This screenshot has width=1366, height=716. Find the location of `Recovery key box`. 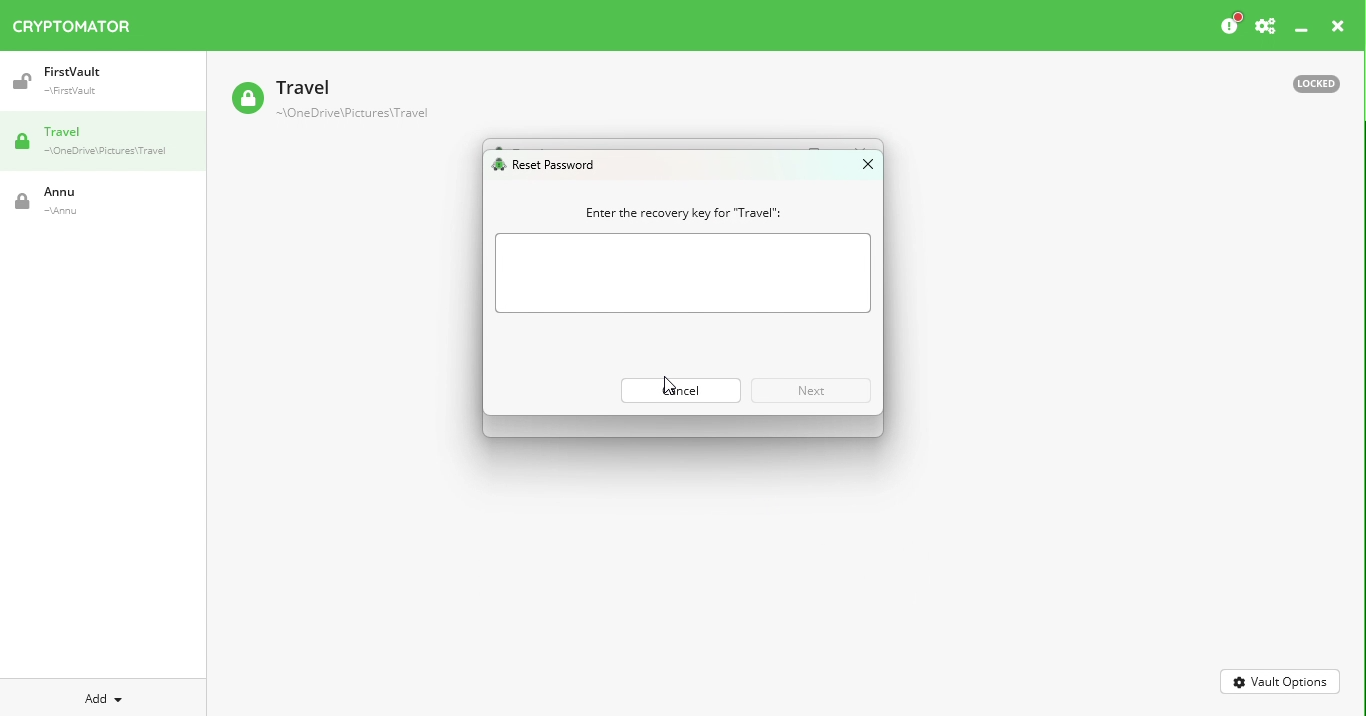

Recovery key box is located at coordinates (686, 274).